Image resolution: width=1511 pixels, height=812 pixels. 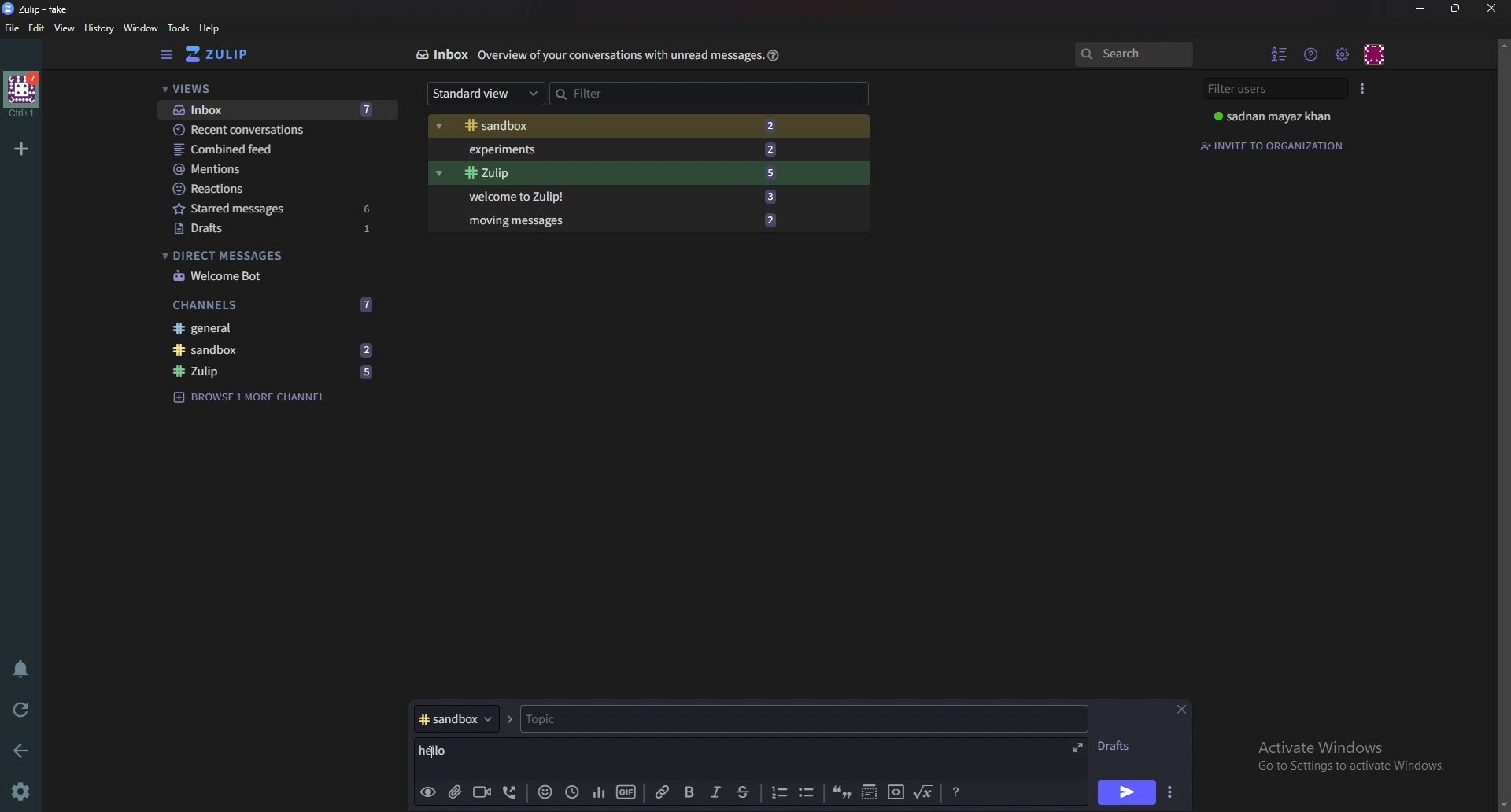 What do you see at coordinates (1376, 53) in the screenshot?
I see `personal menu` at bounding box center [1376, 53].